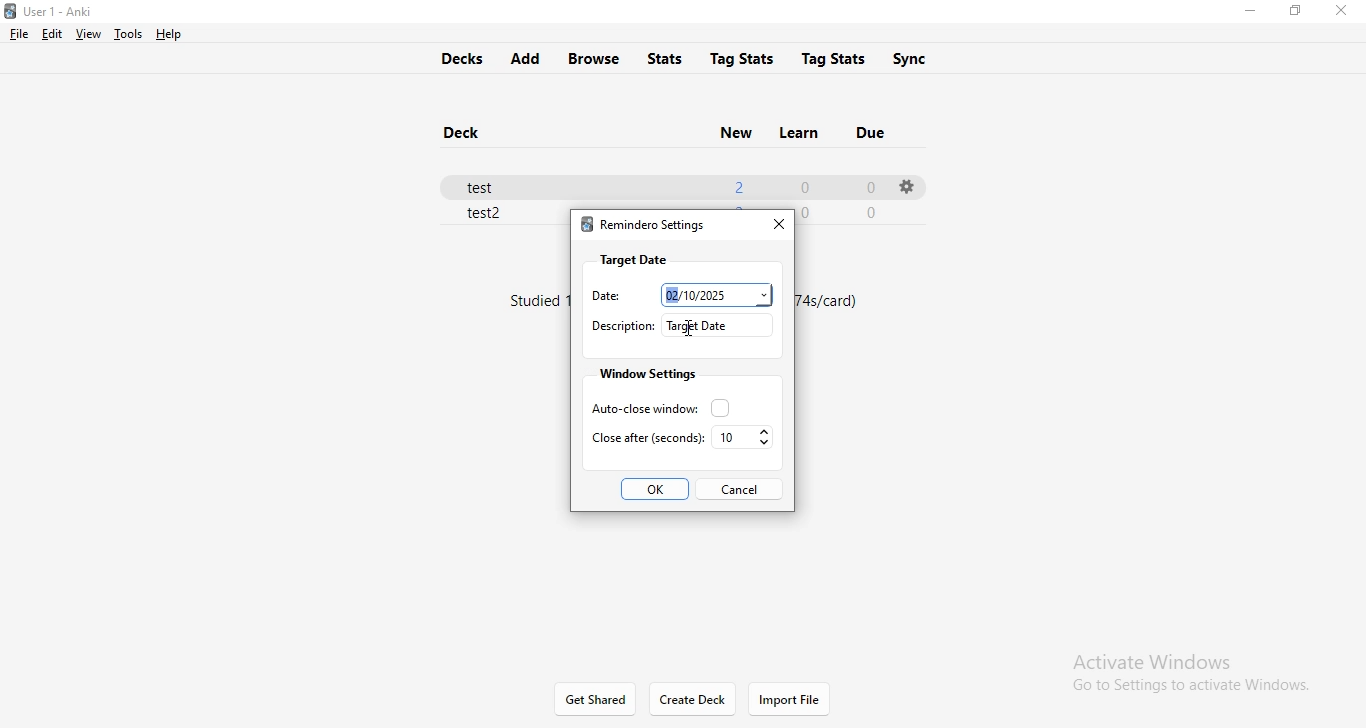 The height and width of the screenshot is (728, 1366). I want to click on 0, so click(874, 212).